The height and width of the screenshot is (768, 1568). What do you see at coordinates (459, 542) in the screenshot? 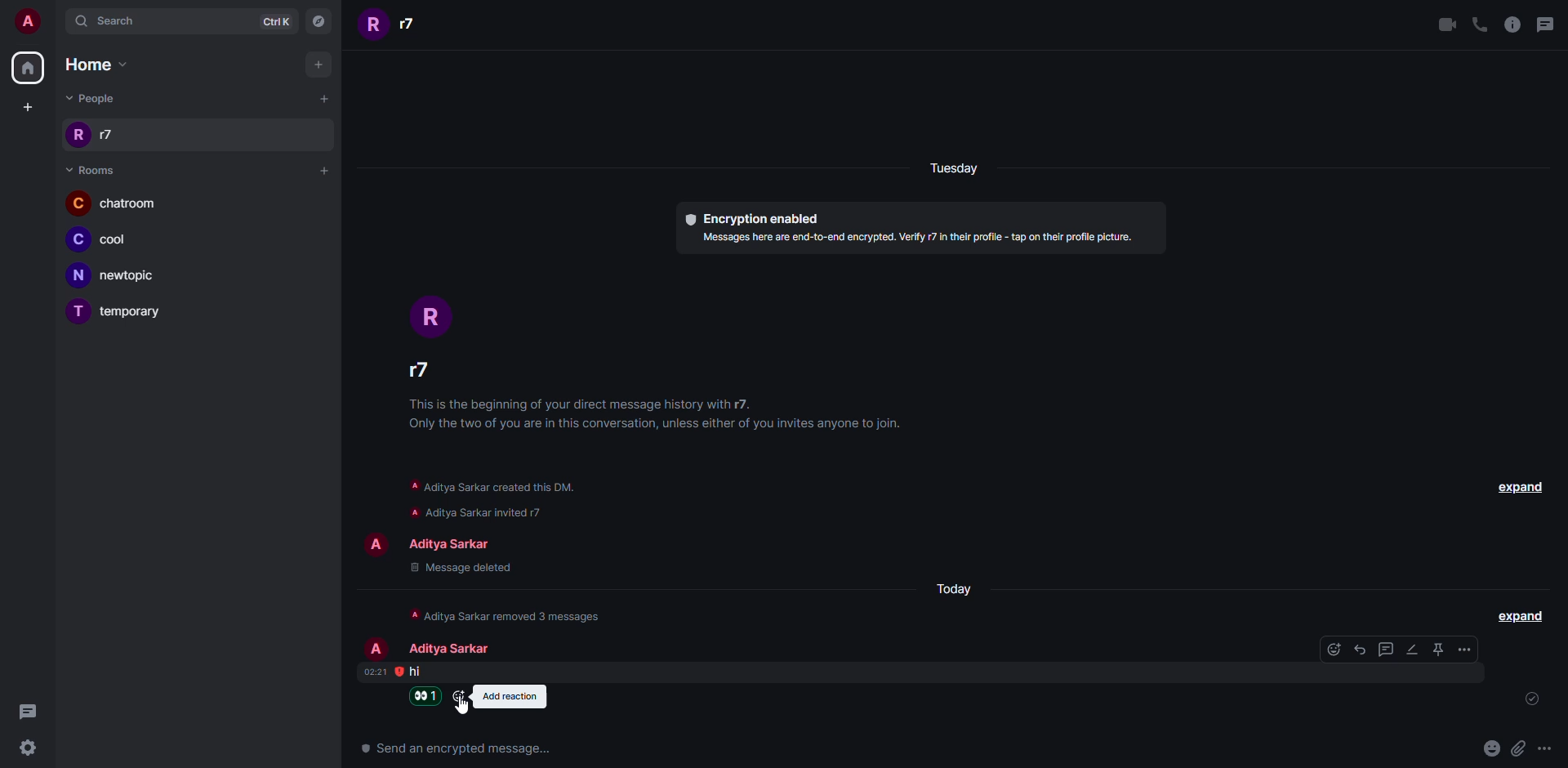
I see `people` at bounding box center [459, 542].